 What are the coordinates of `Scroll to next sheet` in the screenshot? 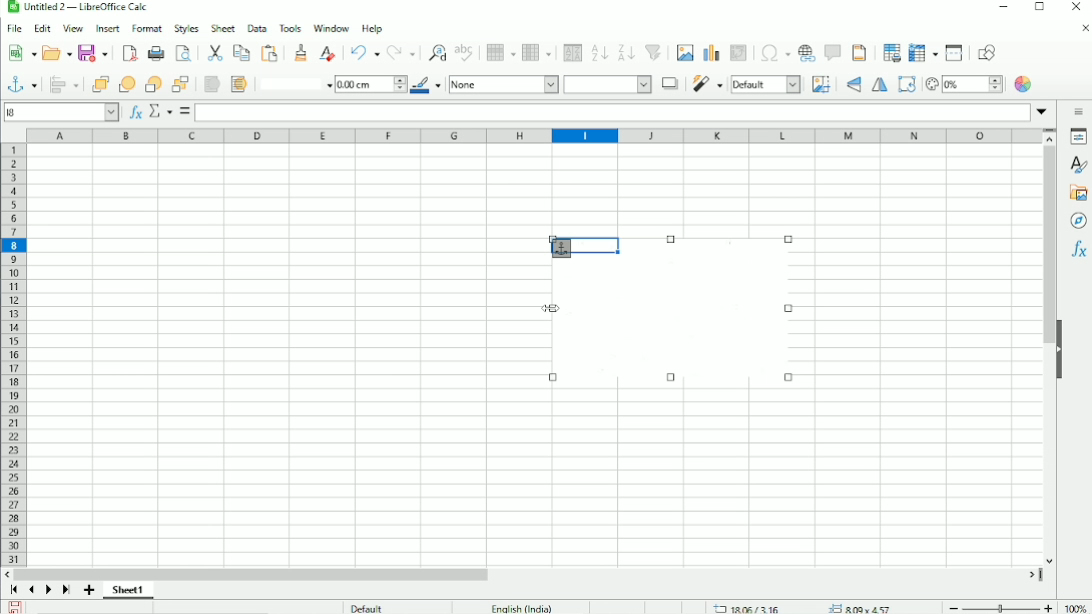 It's located at (48, 591).